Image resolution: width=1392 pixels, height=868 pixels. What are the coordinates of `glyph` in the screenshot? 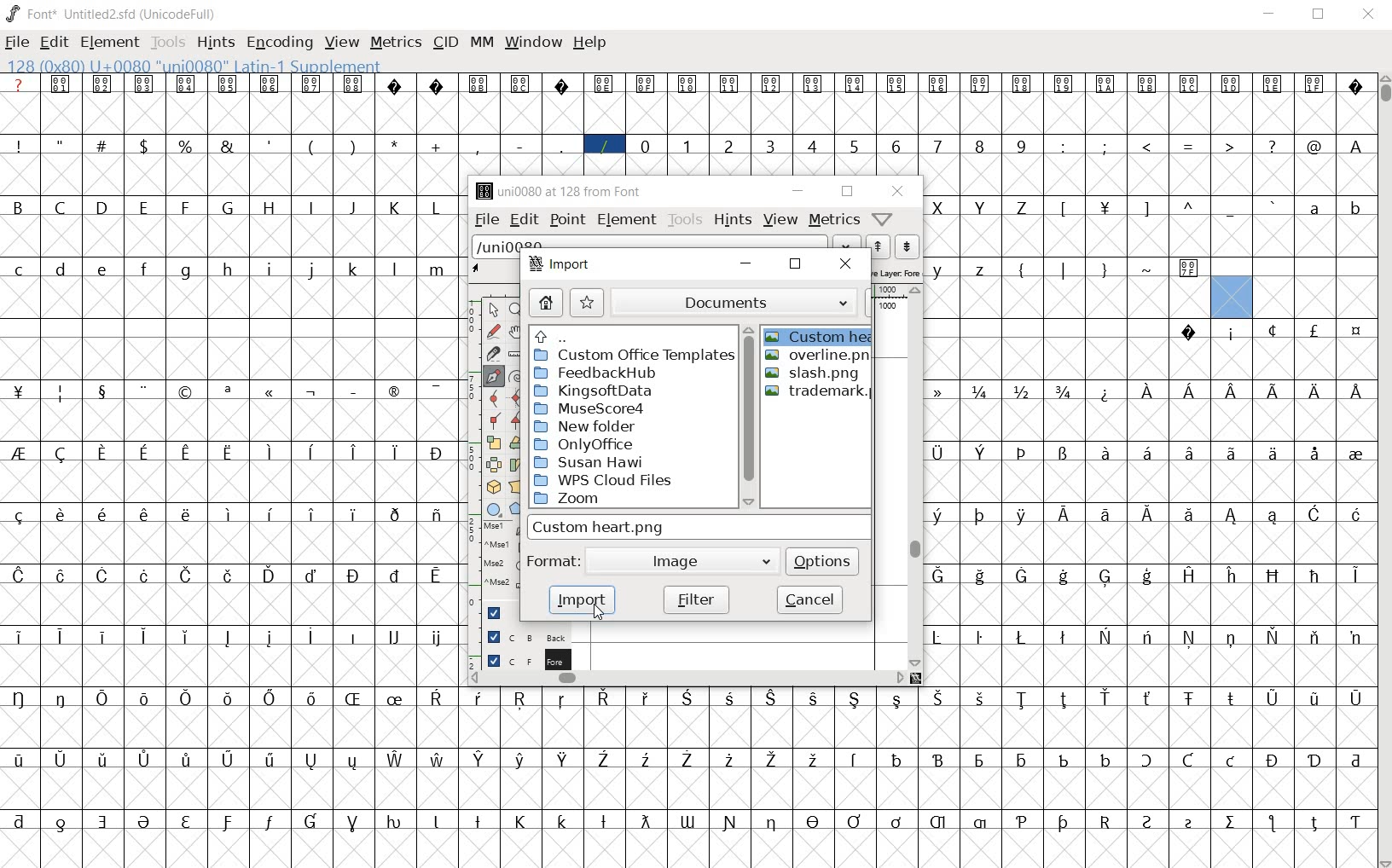 It's located at (227, 823).